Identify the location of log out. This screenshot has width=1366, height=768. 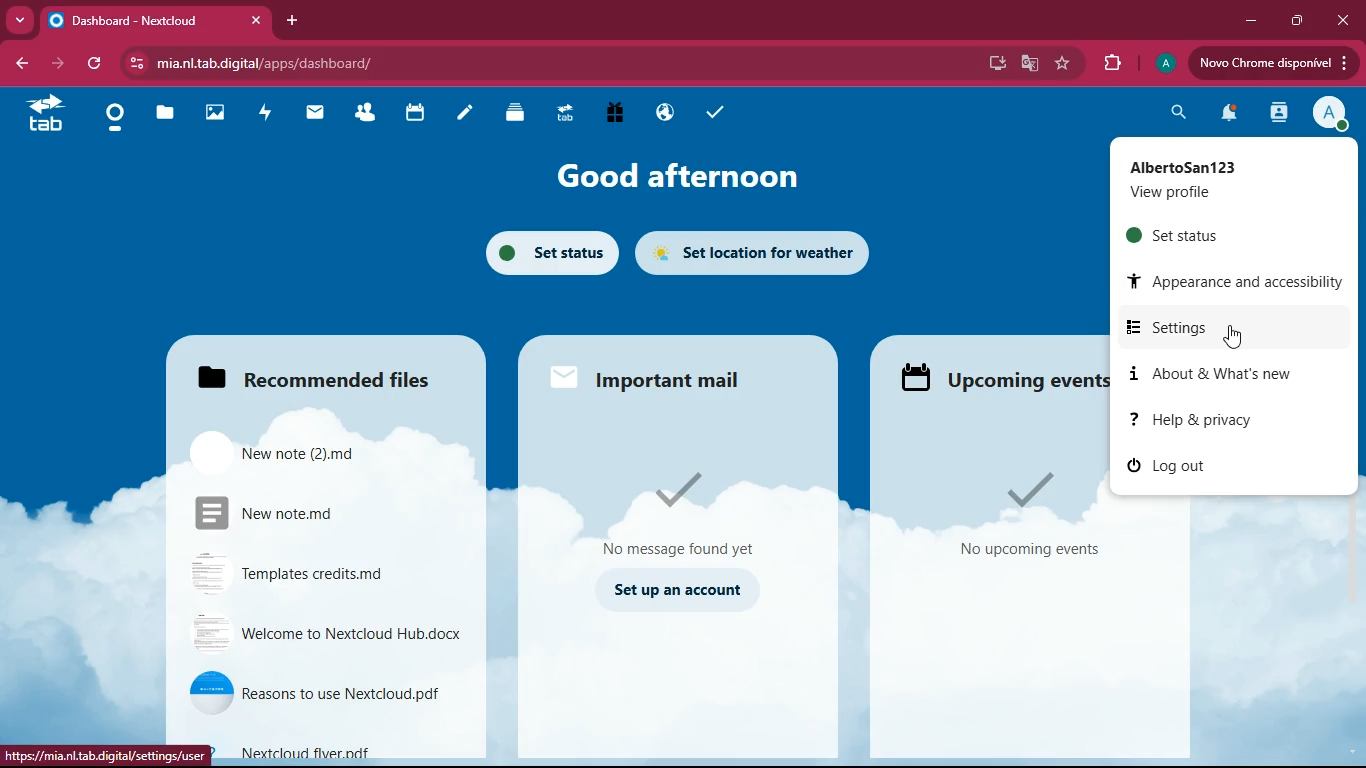
(1182, 467).